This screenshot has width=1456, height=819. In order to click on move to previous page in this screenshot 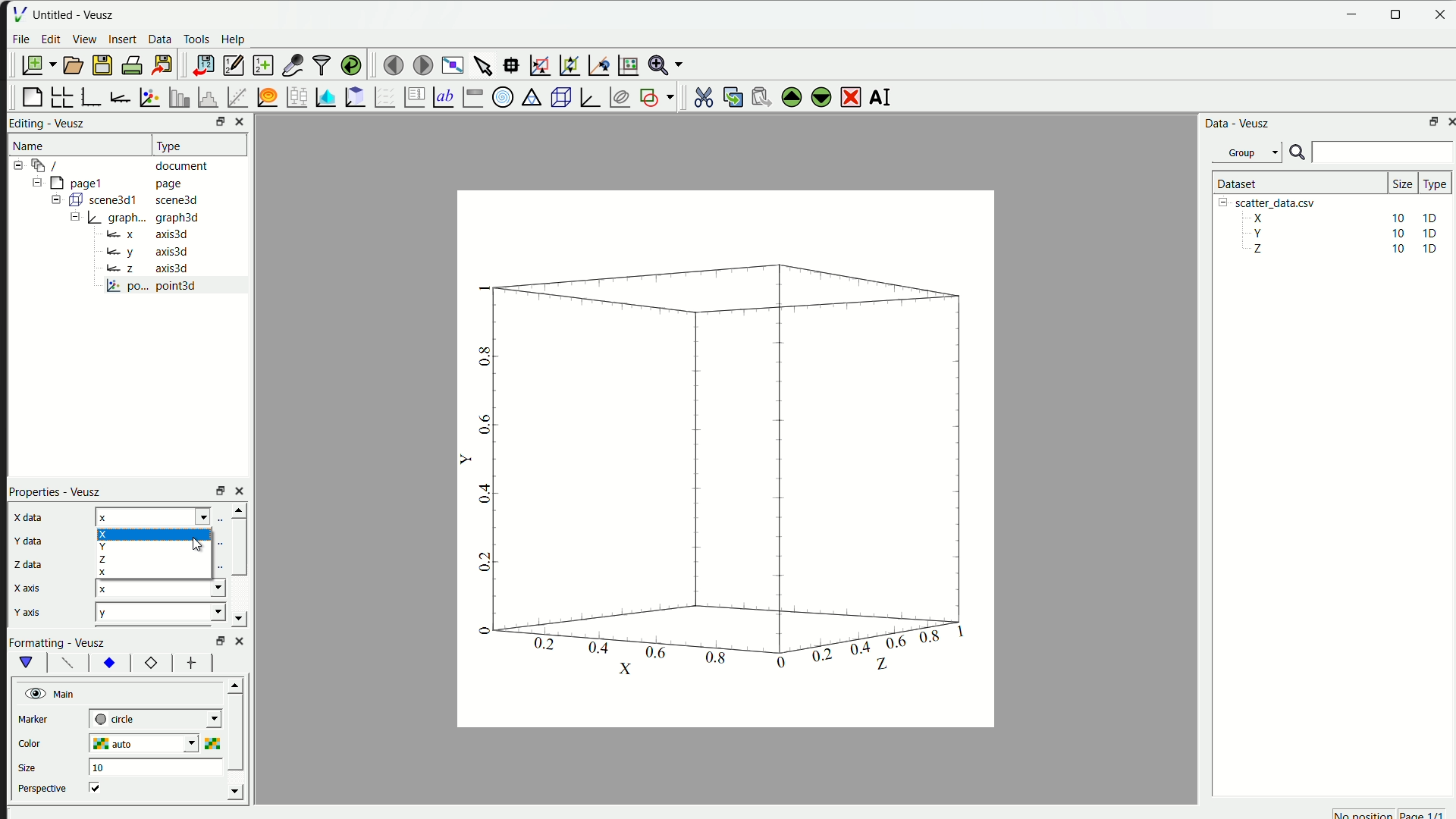, I will do `click(391, 63)`.